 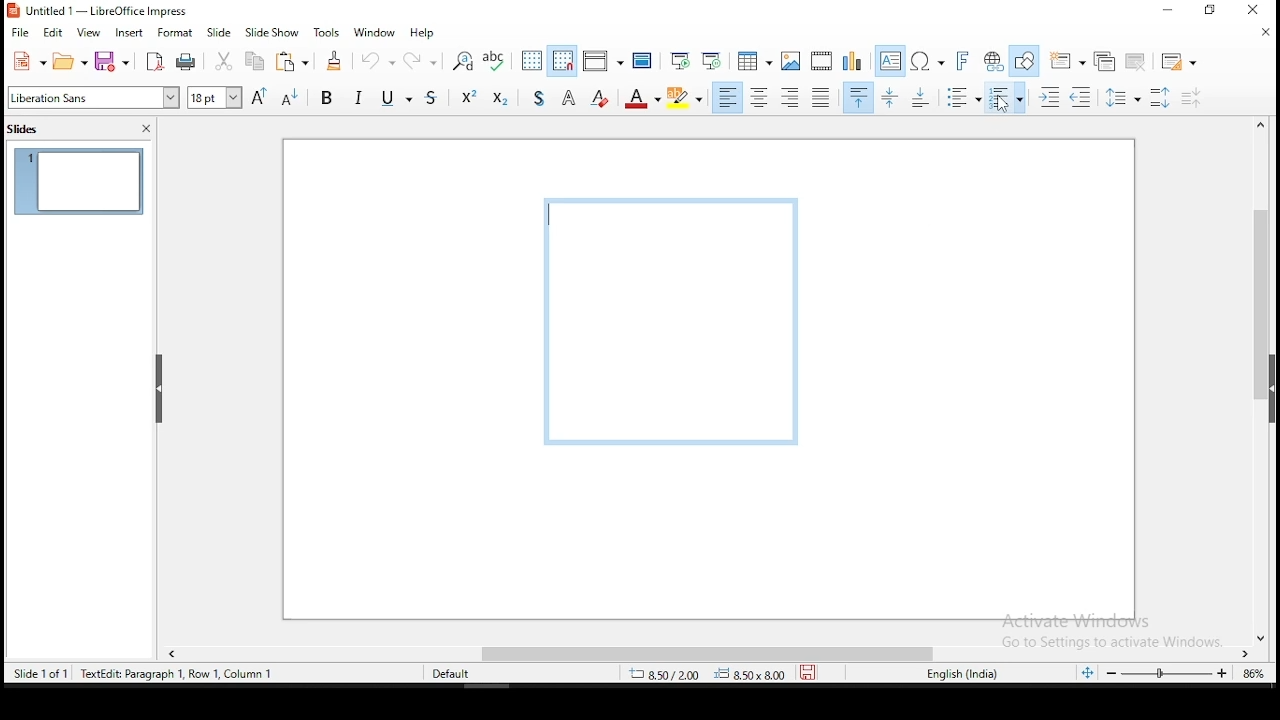 What do you see at coordinates (79, 183) in the screenshot?
I see `slide` at bounding box center [79, 183].